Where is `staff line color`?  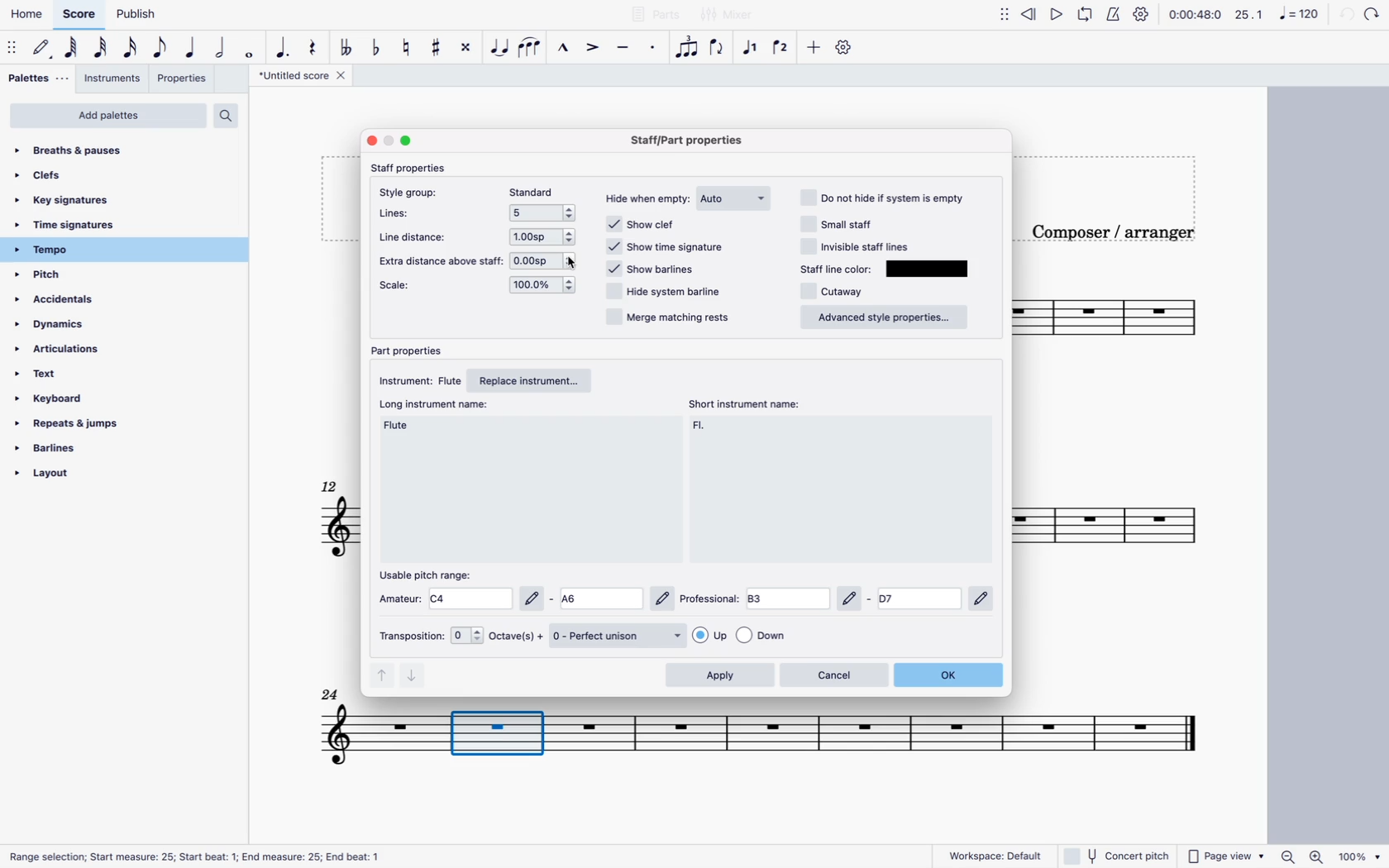 staff line color is located at coordinates (837, 268).